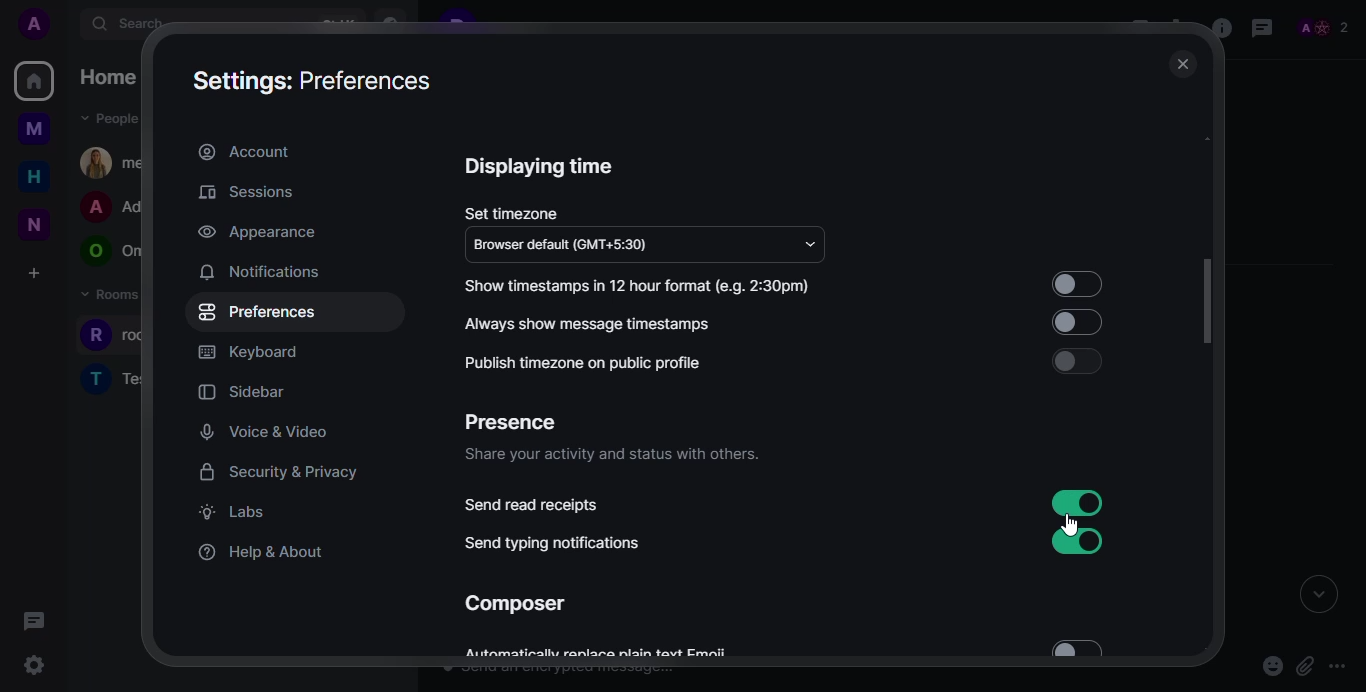  I want to click on drop down, so click(810, 243).